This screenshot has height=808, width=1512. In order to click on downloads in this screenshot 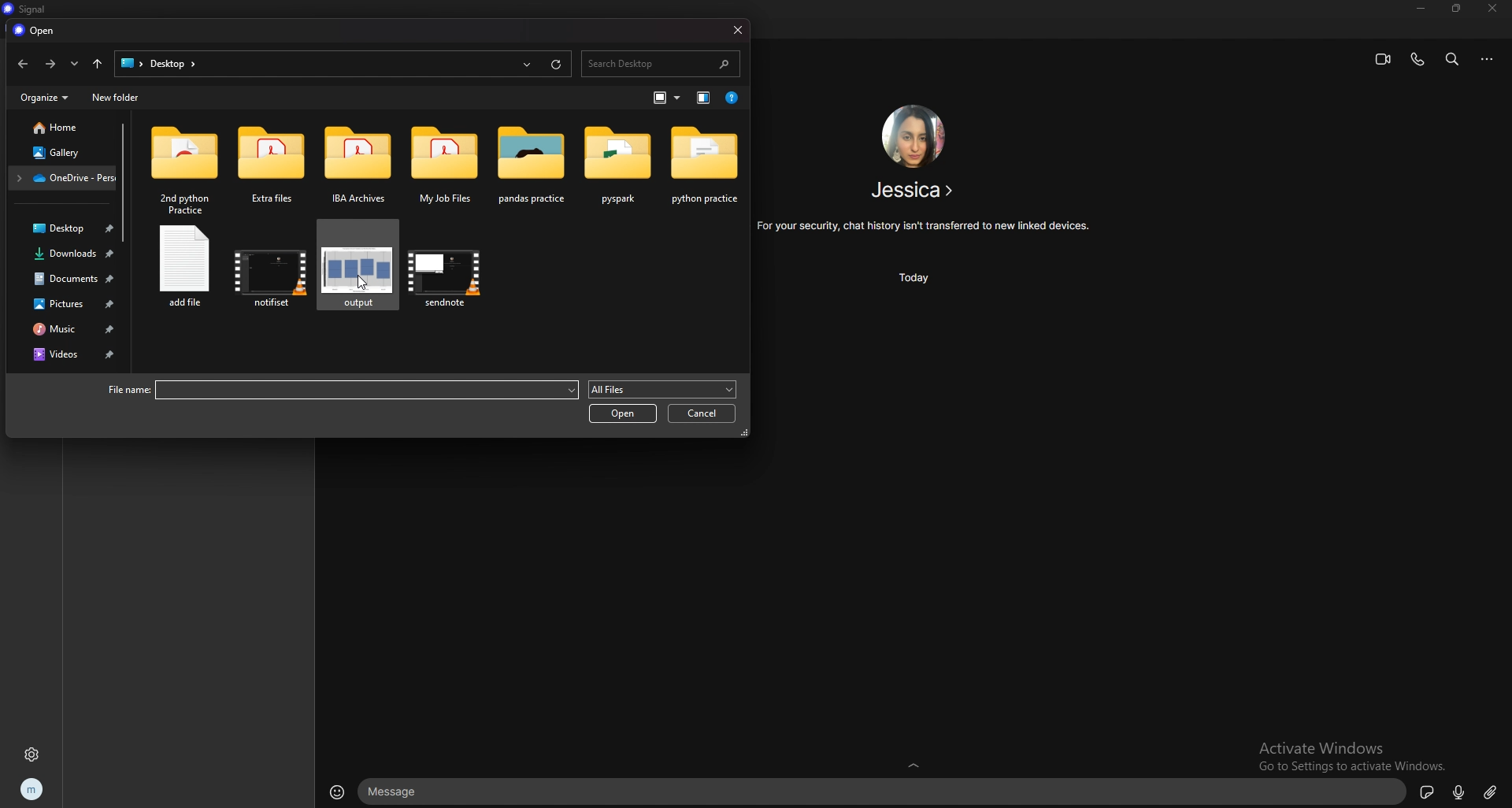, I will do `click(65, 254)`.